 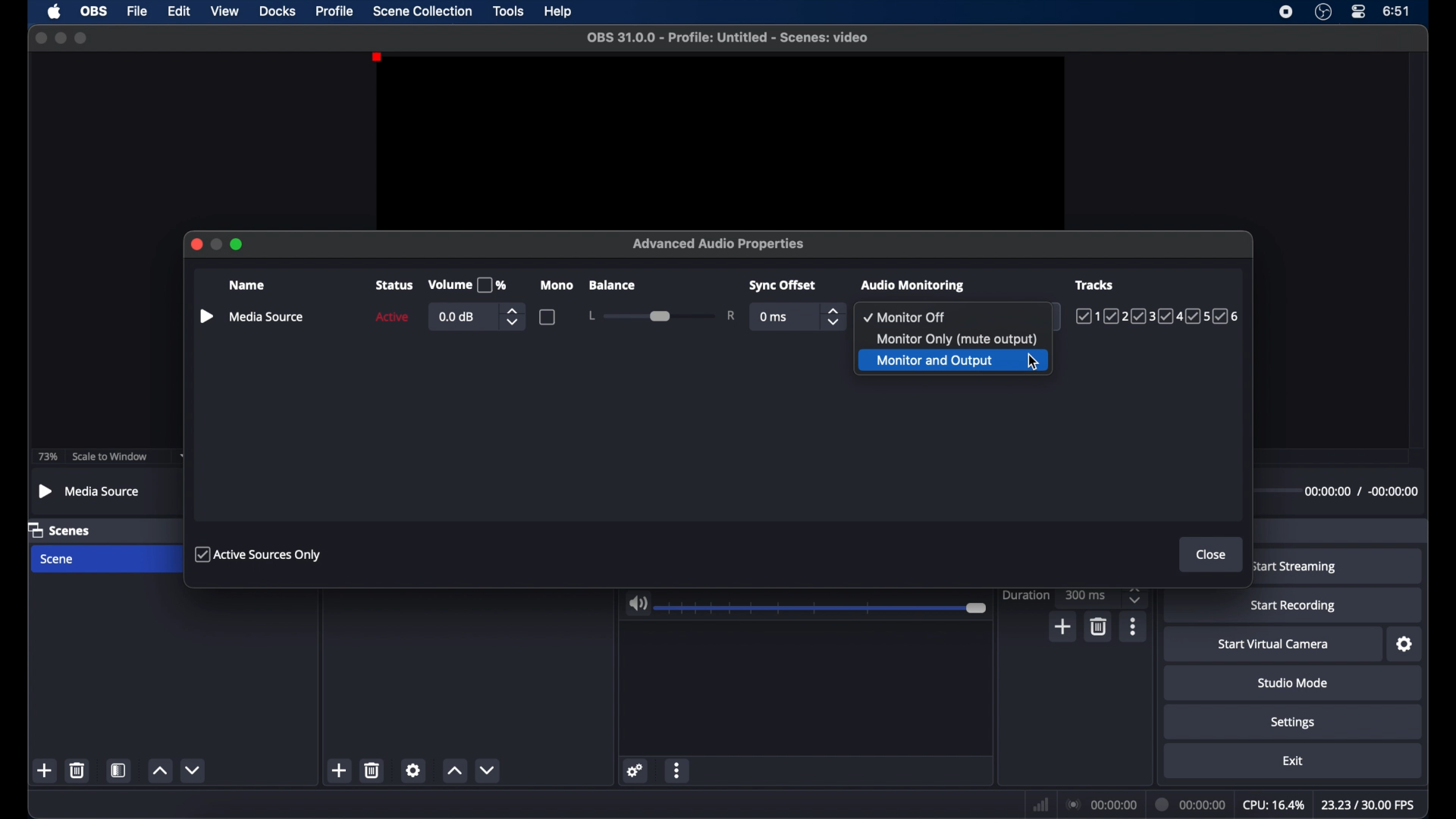 What do you see at coordinates (40, 37) in the screenshot?
I see `close` at bounding box center [40, 37].